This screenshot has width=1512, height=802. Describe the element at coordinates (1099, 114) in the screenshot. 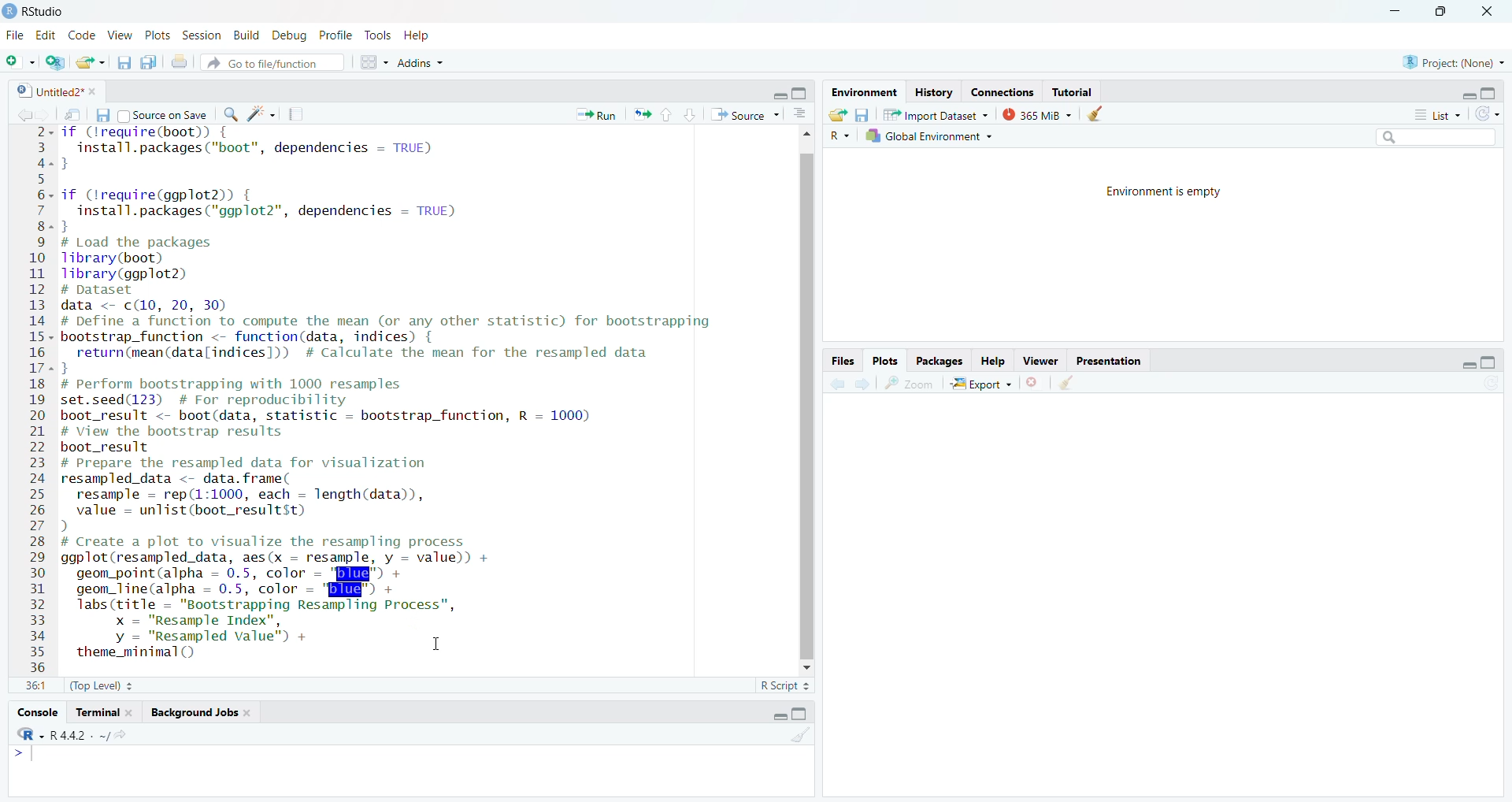

I see `clear history` at that location.